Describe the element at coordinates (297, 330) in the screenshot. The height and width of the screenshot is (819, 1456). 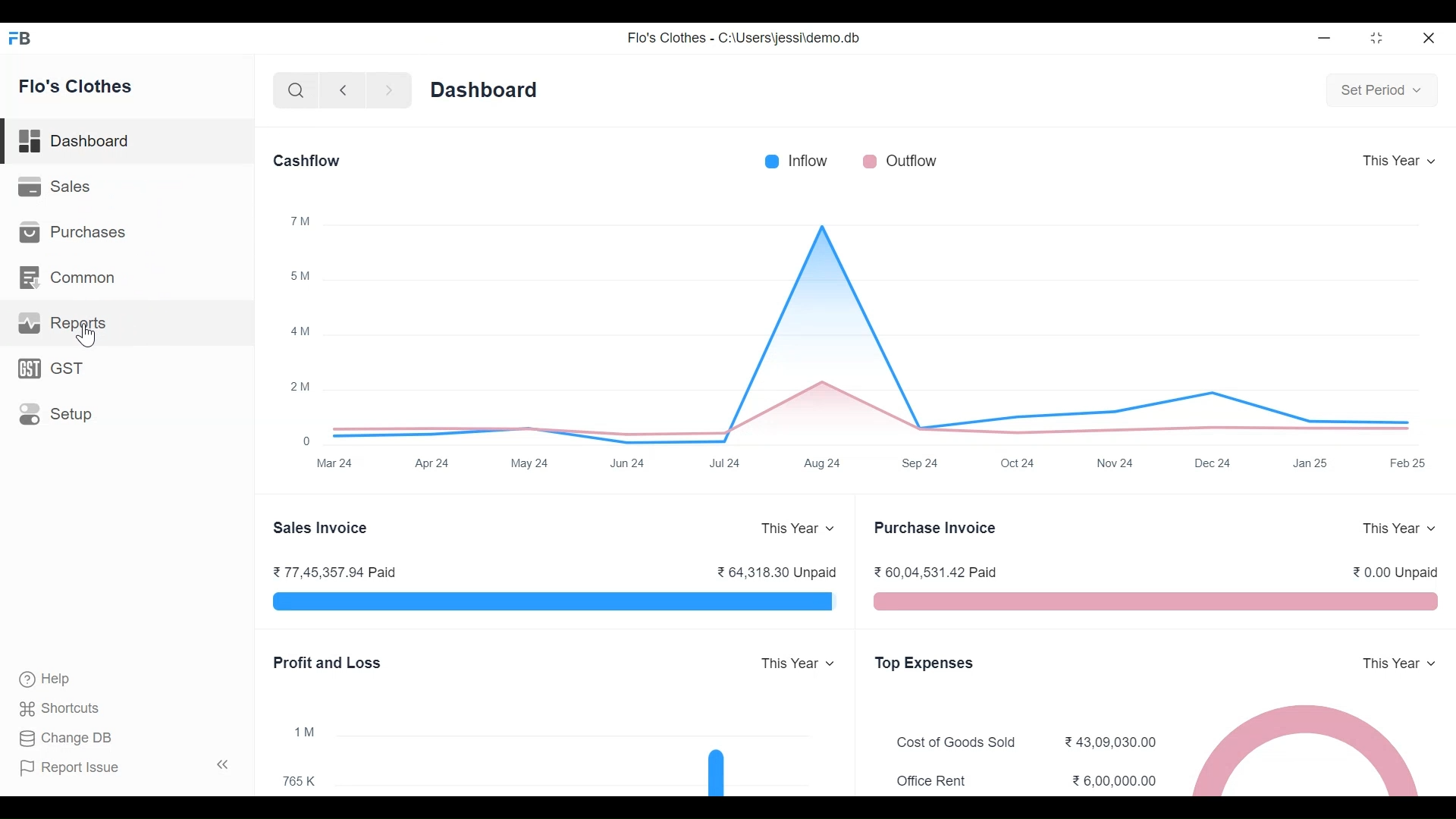
I see `4M` at that location.